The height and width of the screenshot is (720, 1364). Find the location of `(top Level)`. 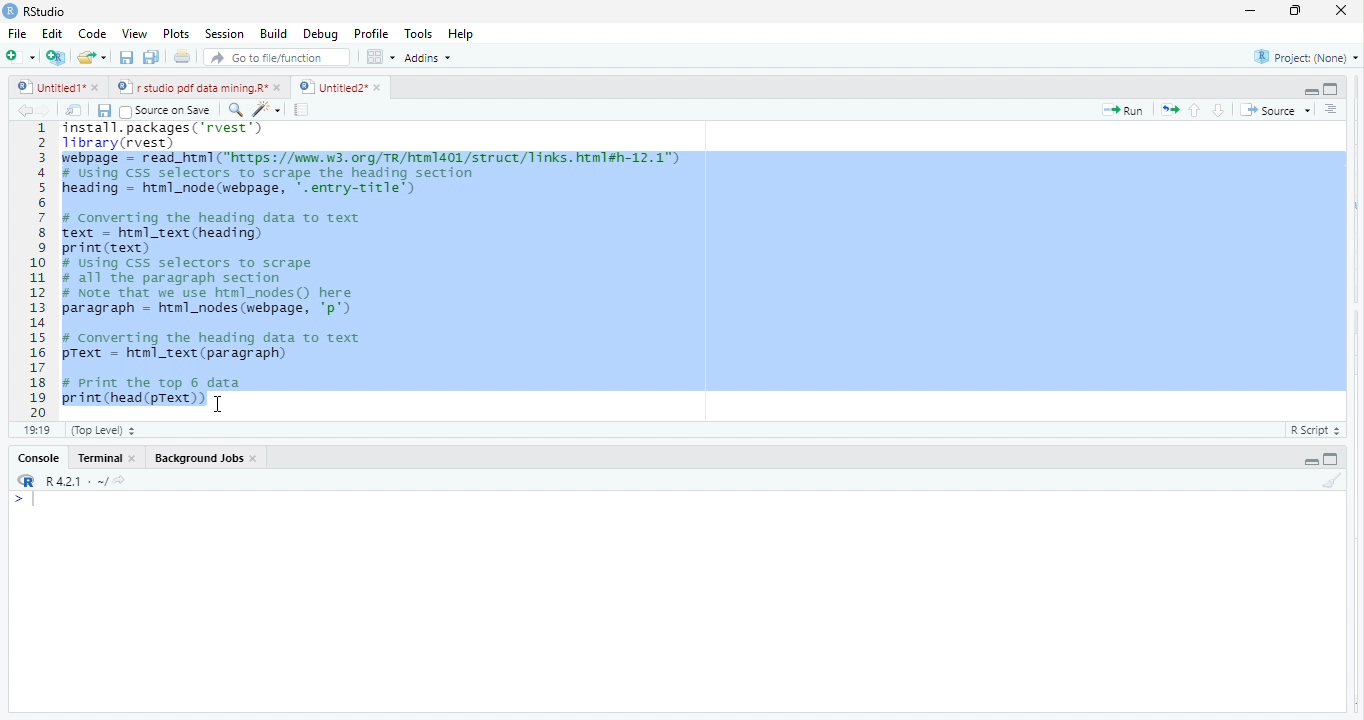

(top Level) is located at coordinates (104, 430).